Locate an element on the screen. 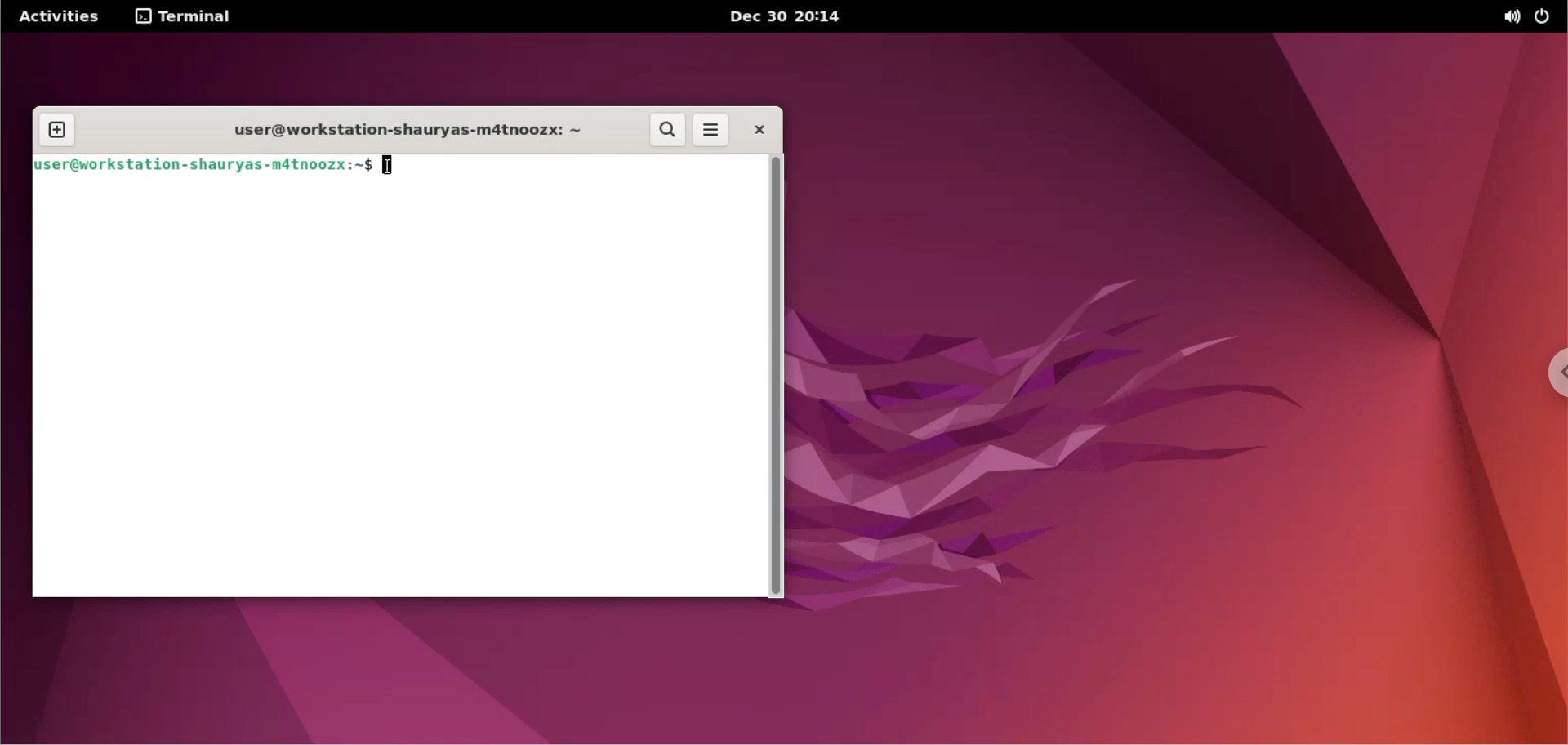 The image size is (1568, 745). new tab is located at coordinates (56, 131).